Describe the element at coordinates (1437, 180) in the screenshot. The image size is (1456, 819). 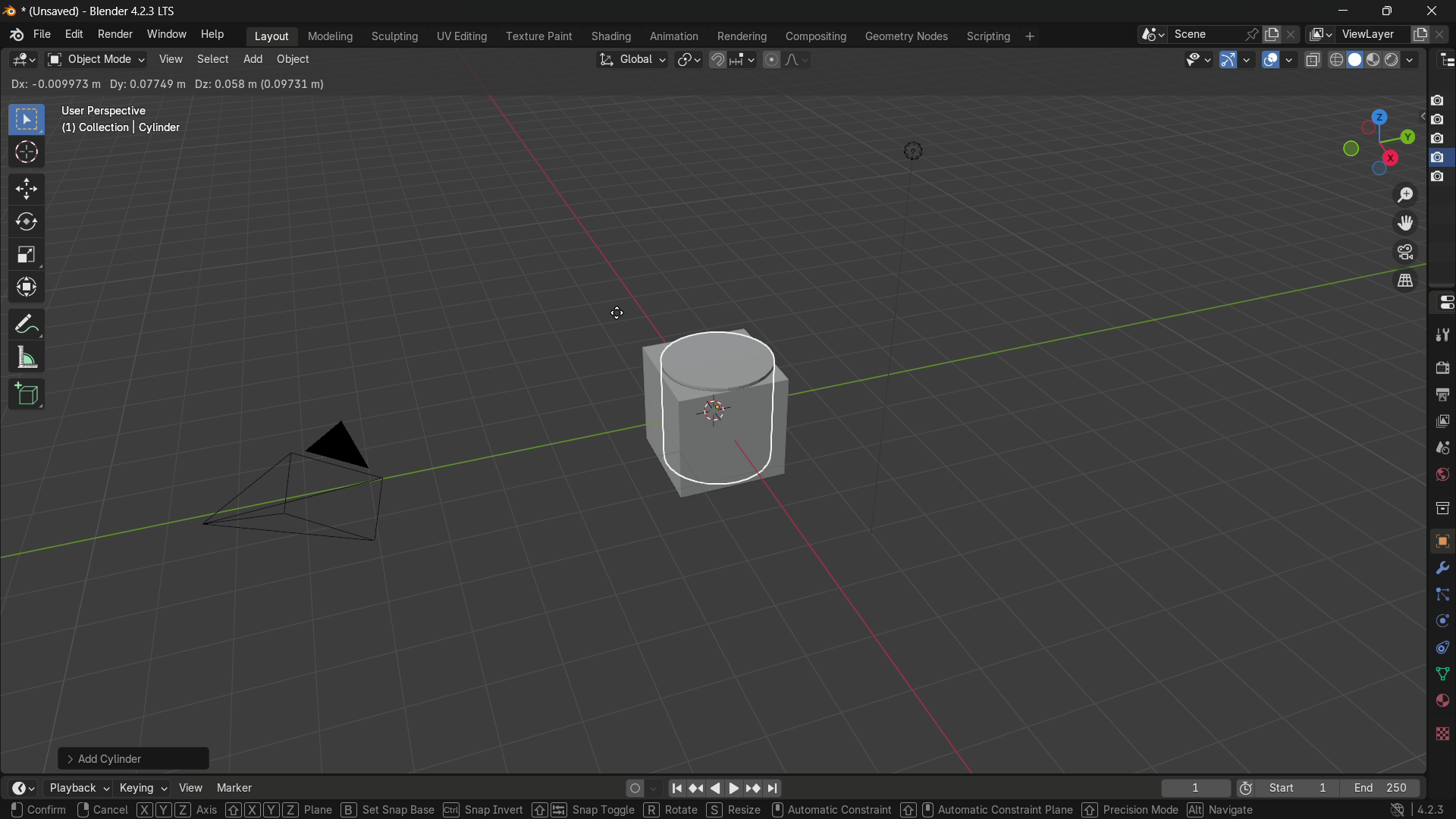
I see `camera` at that location.